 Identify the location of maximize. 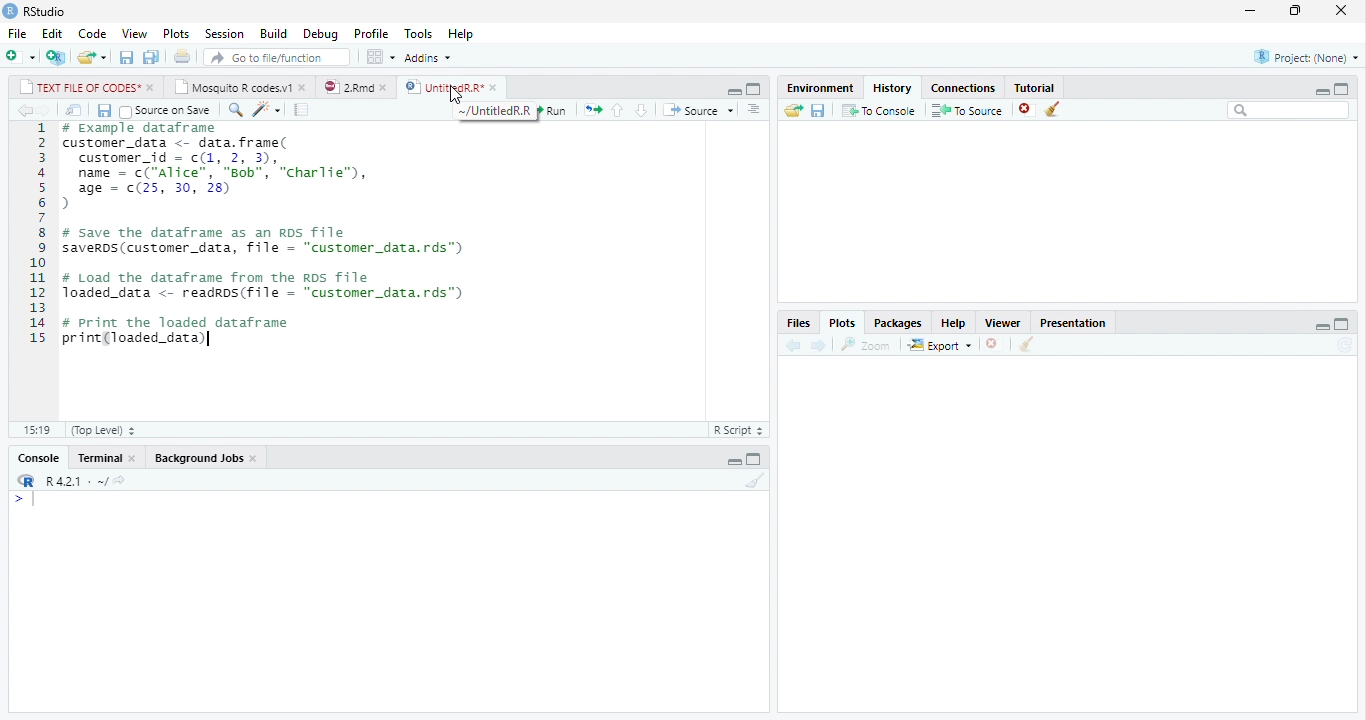
(753, 89).